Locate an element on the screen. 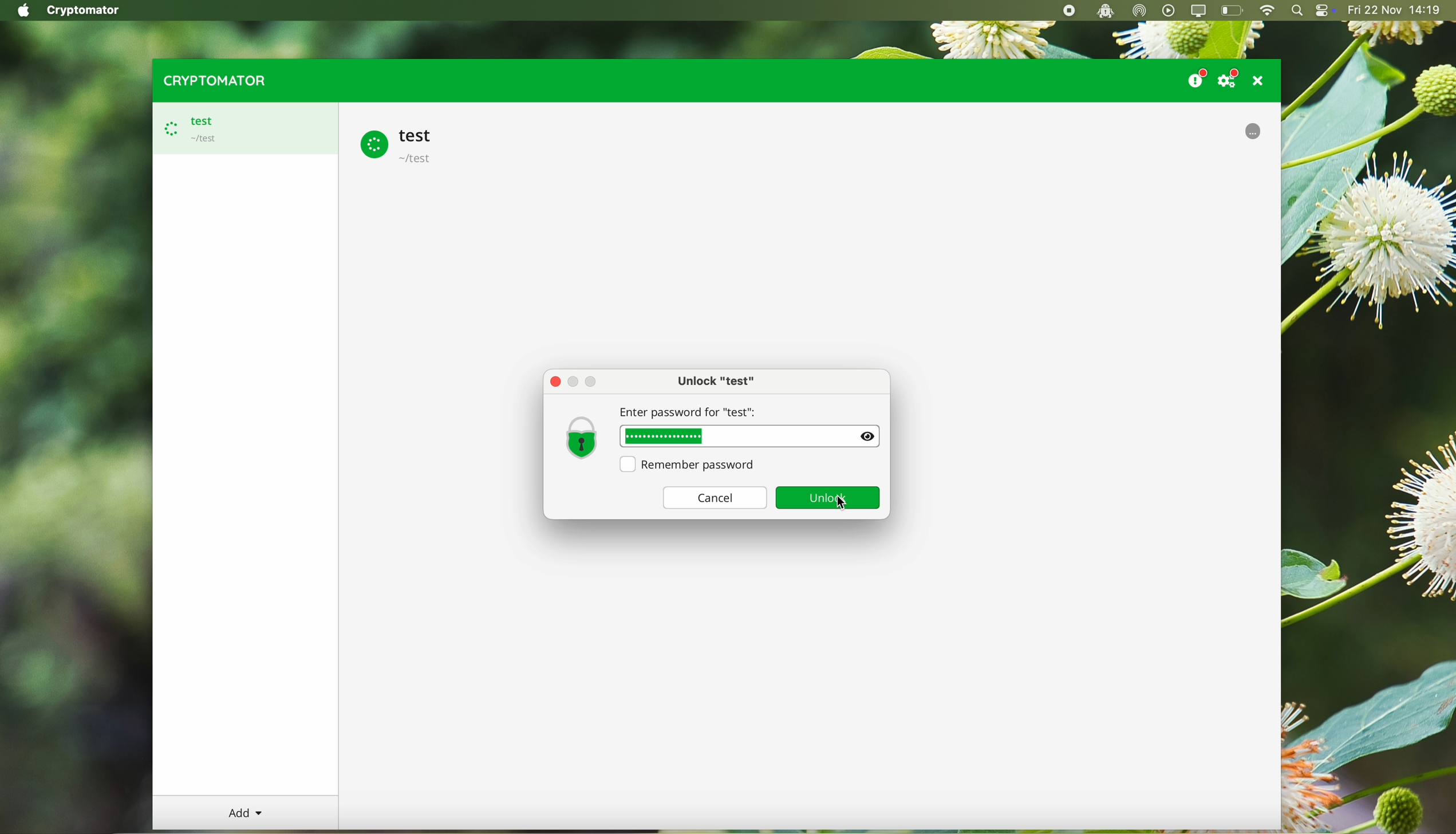 The height and width of the screenshot is (834, 1456). add is located at coordinates (246, 813).